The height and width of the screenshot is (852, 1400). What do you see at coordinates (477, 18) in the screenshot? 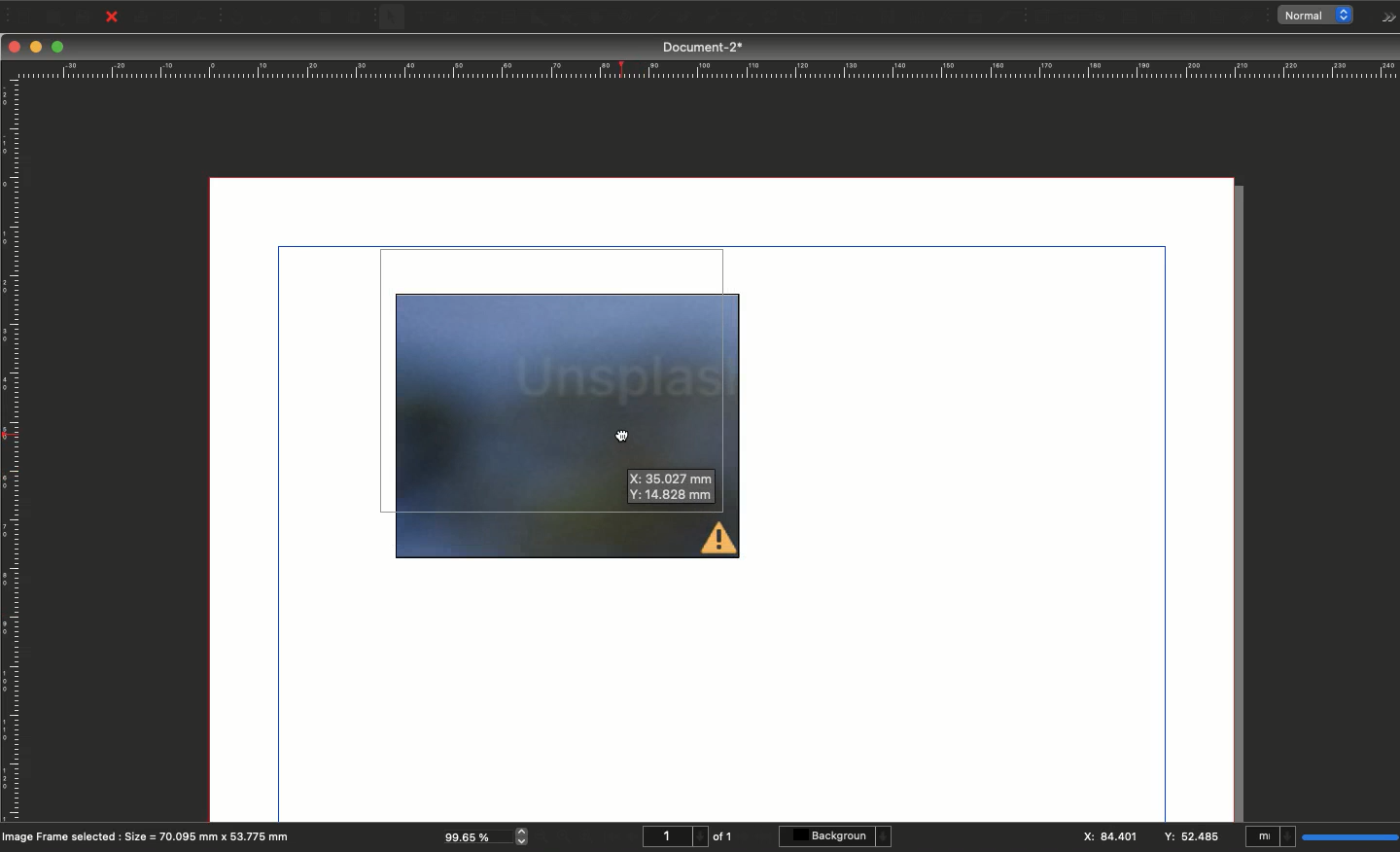
I see `Render frame` at bounding box center [477, 18].